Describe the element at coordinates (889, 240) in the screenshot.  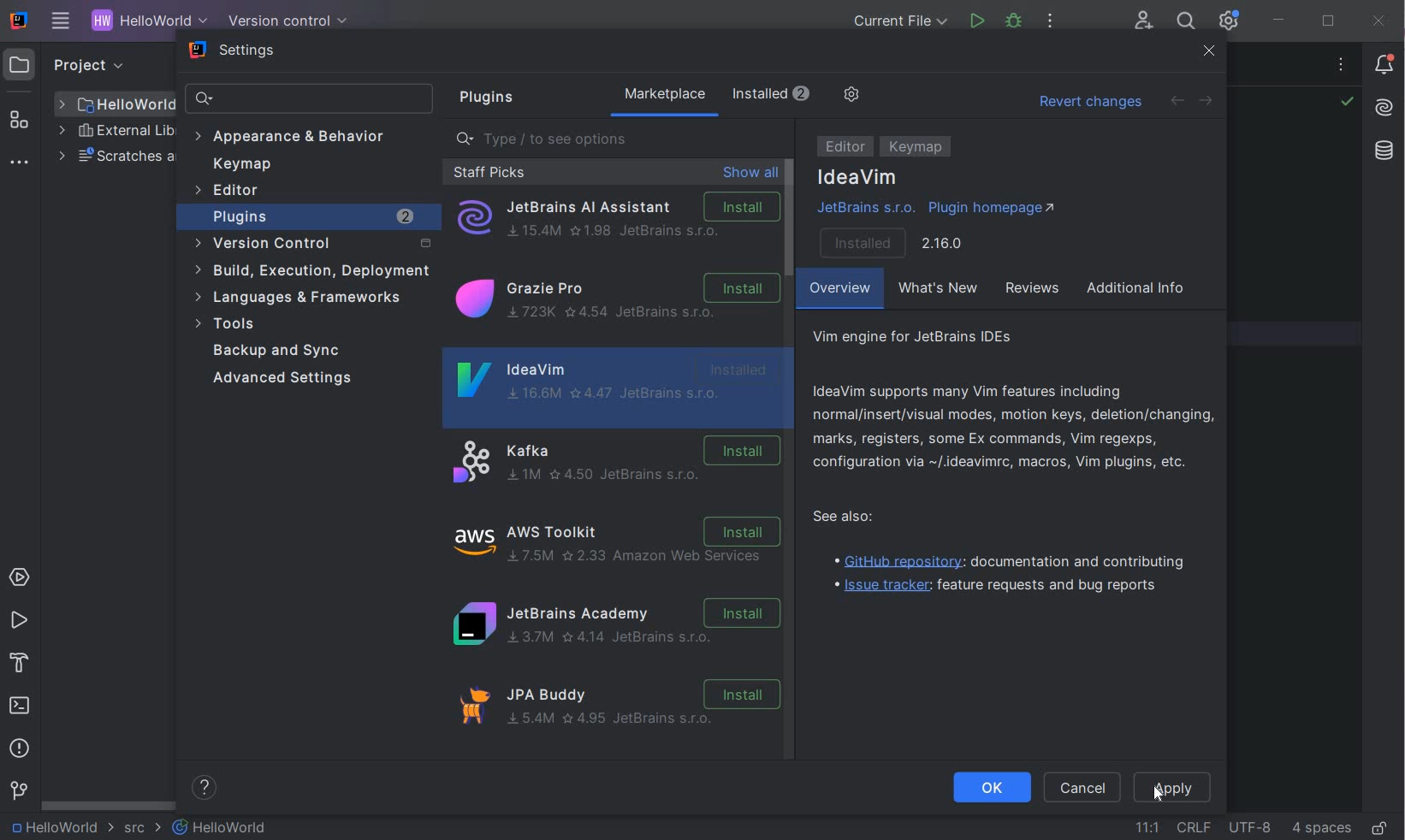
I see `Install` at that location.